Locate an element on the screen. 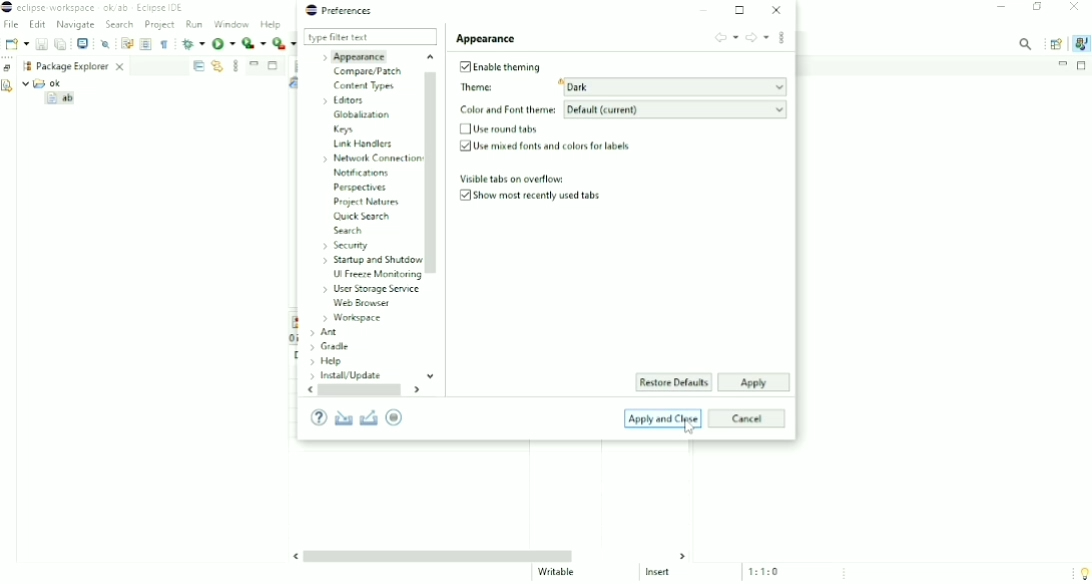  Tip is located at coordinates (1080, 572).